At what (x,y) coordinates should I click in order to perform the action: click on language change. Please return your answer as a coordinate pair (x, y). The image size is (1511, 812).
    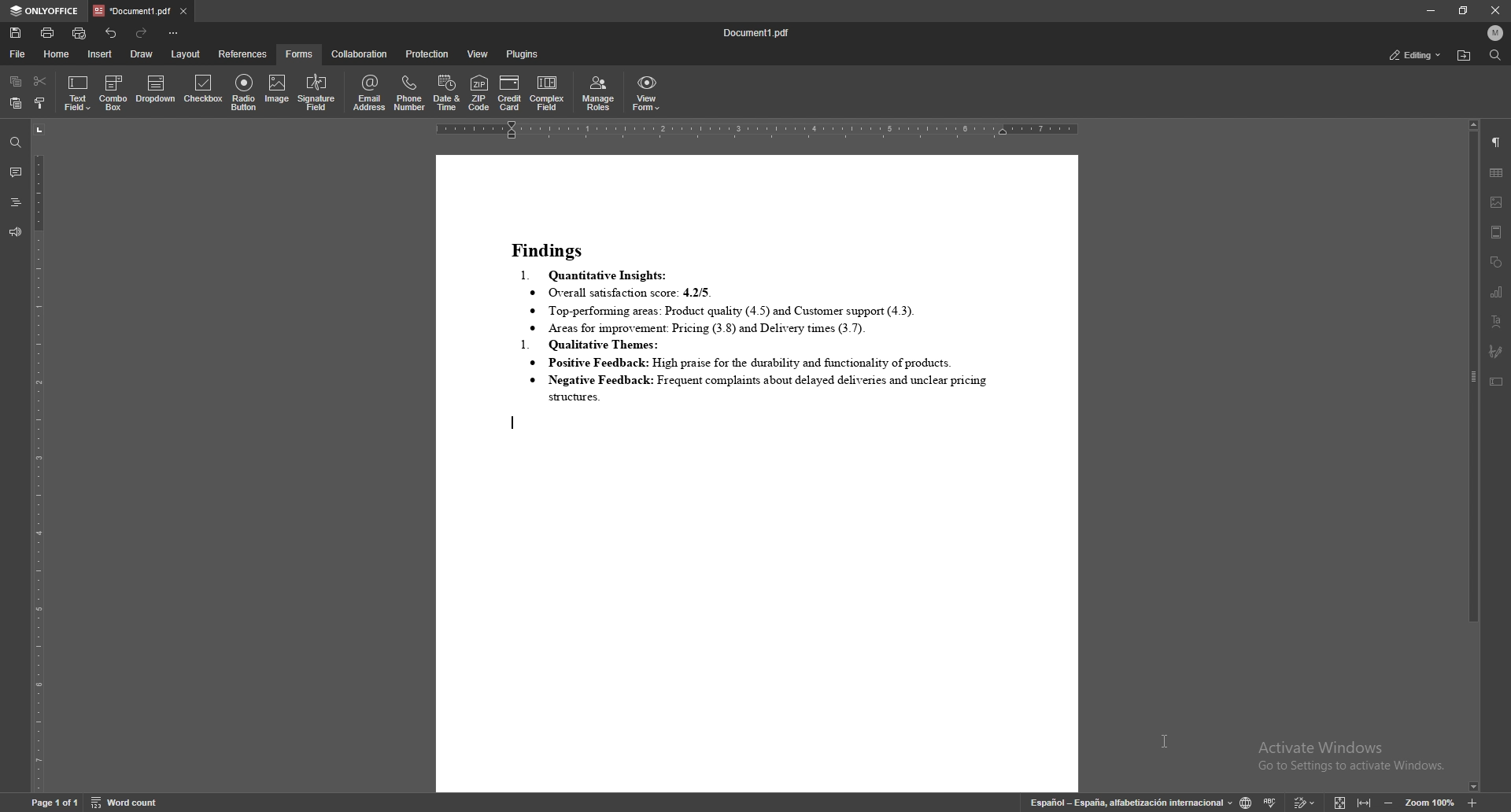
    Looking at the image, I should click on (1130, 801).